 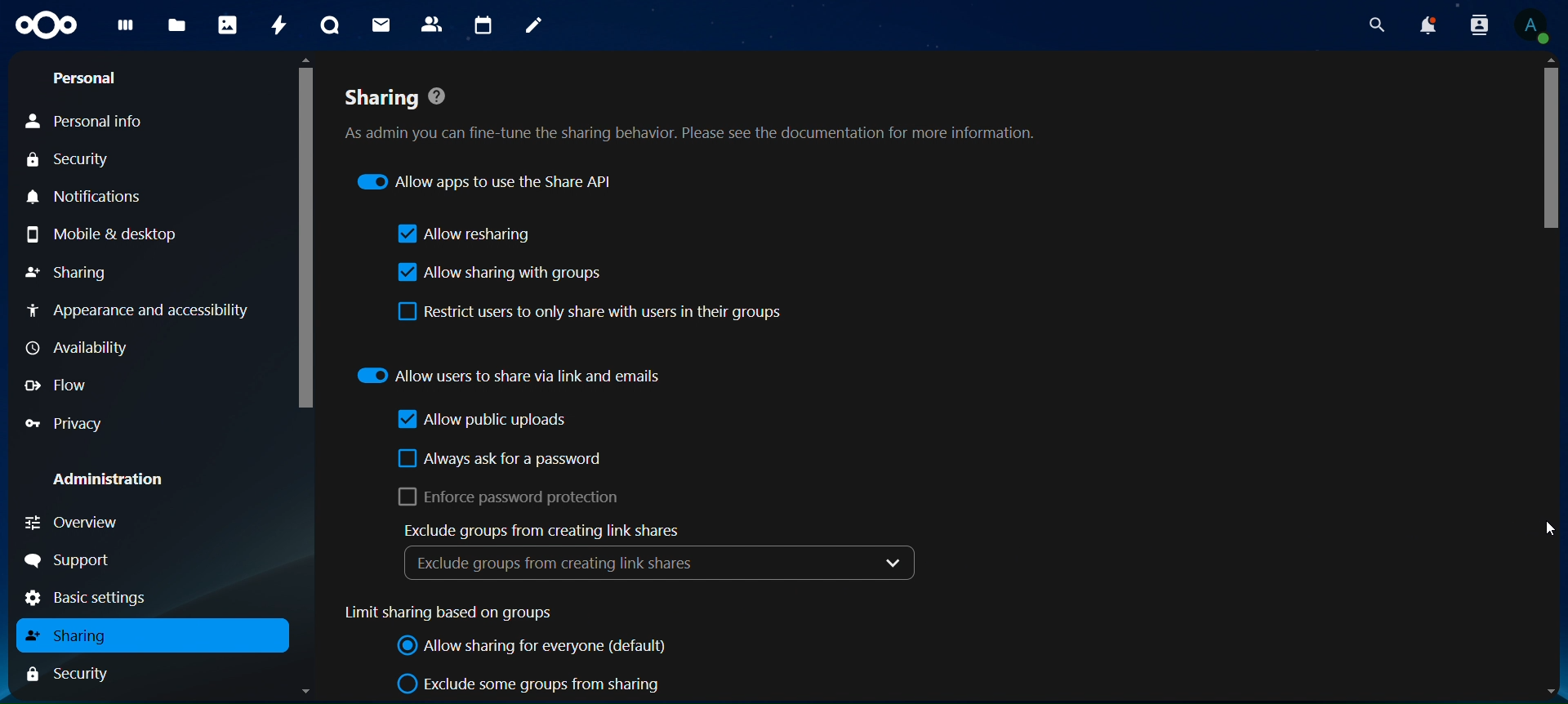 What do you see at coordinates (140, 311) in the screenshot?
I see `appearance and accessibility` at bounding box center [140, 311].